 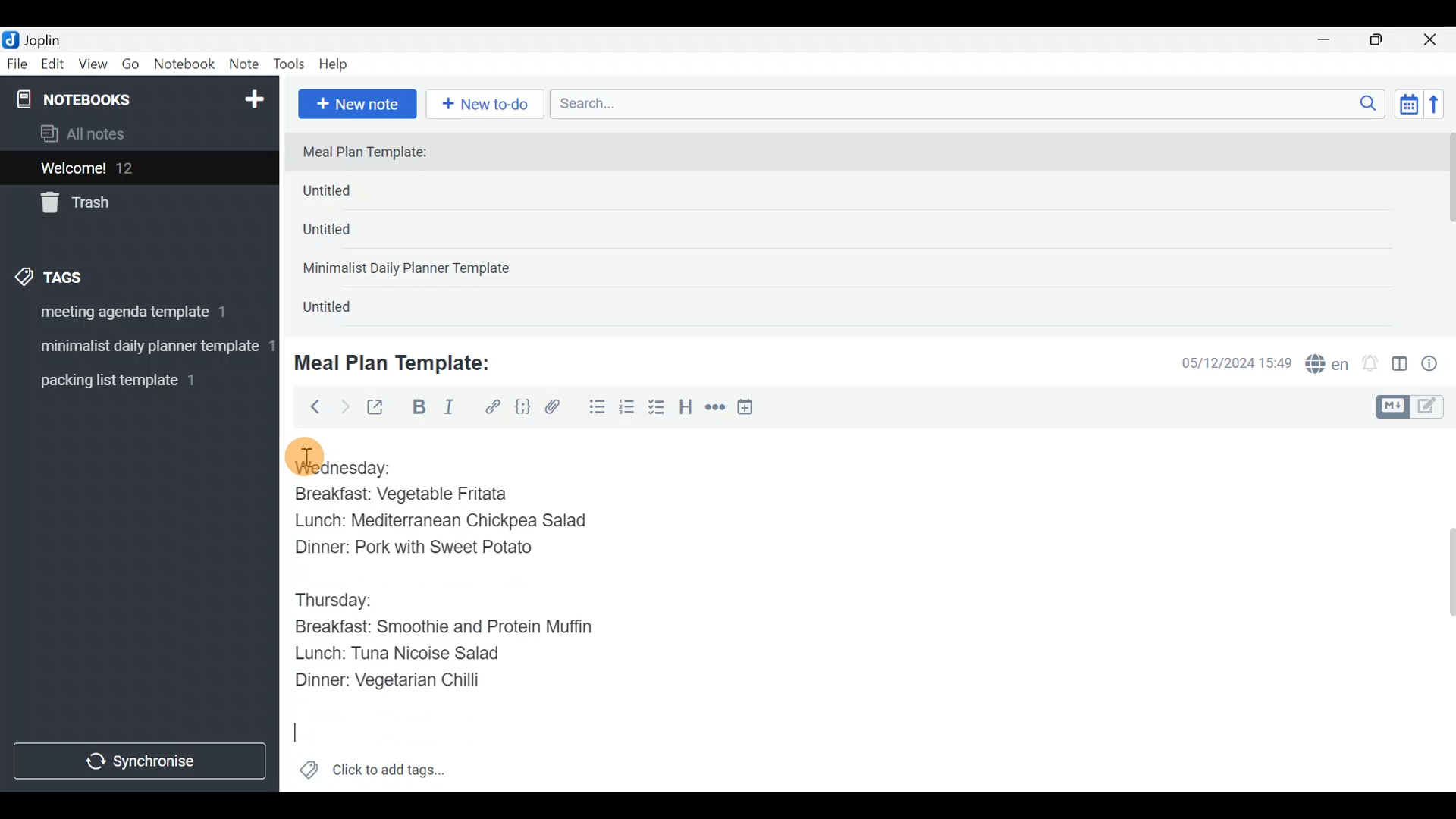 What do you see at coordinates (303, 457) in the screenshot?
I see `cursor` at bounding box center [303, 457].